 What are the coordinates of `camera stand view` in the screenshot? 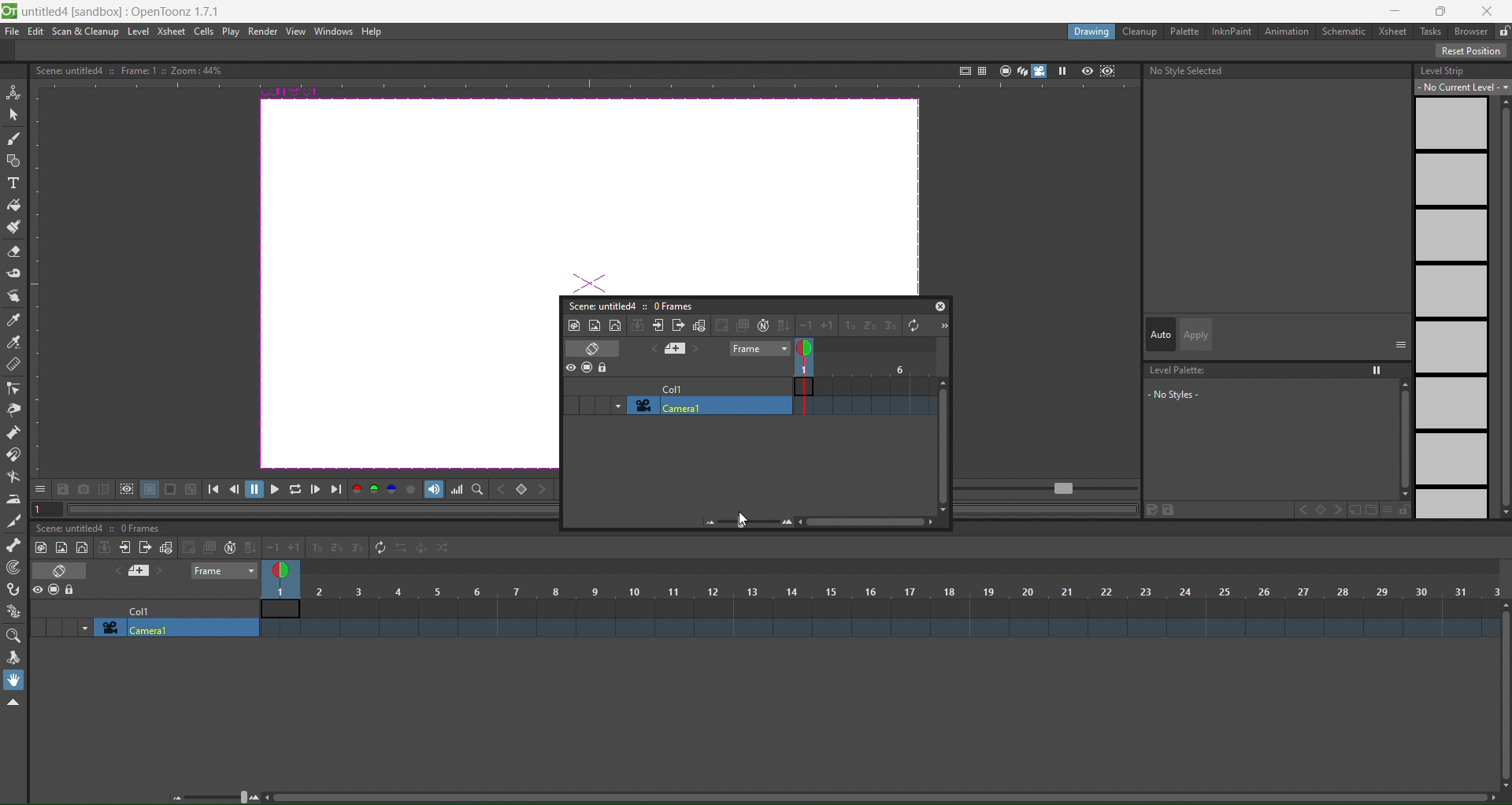 It's located at (1002, 69).